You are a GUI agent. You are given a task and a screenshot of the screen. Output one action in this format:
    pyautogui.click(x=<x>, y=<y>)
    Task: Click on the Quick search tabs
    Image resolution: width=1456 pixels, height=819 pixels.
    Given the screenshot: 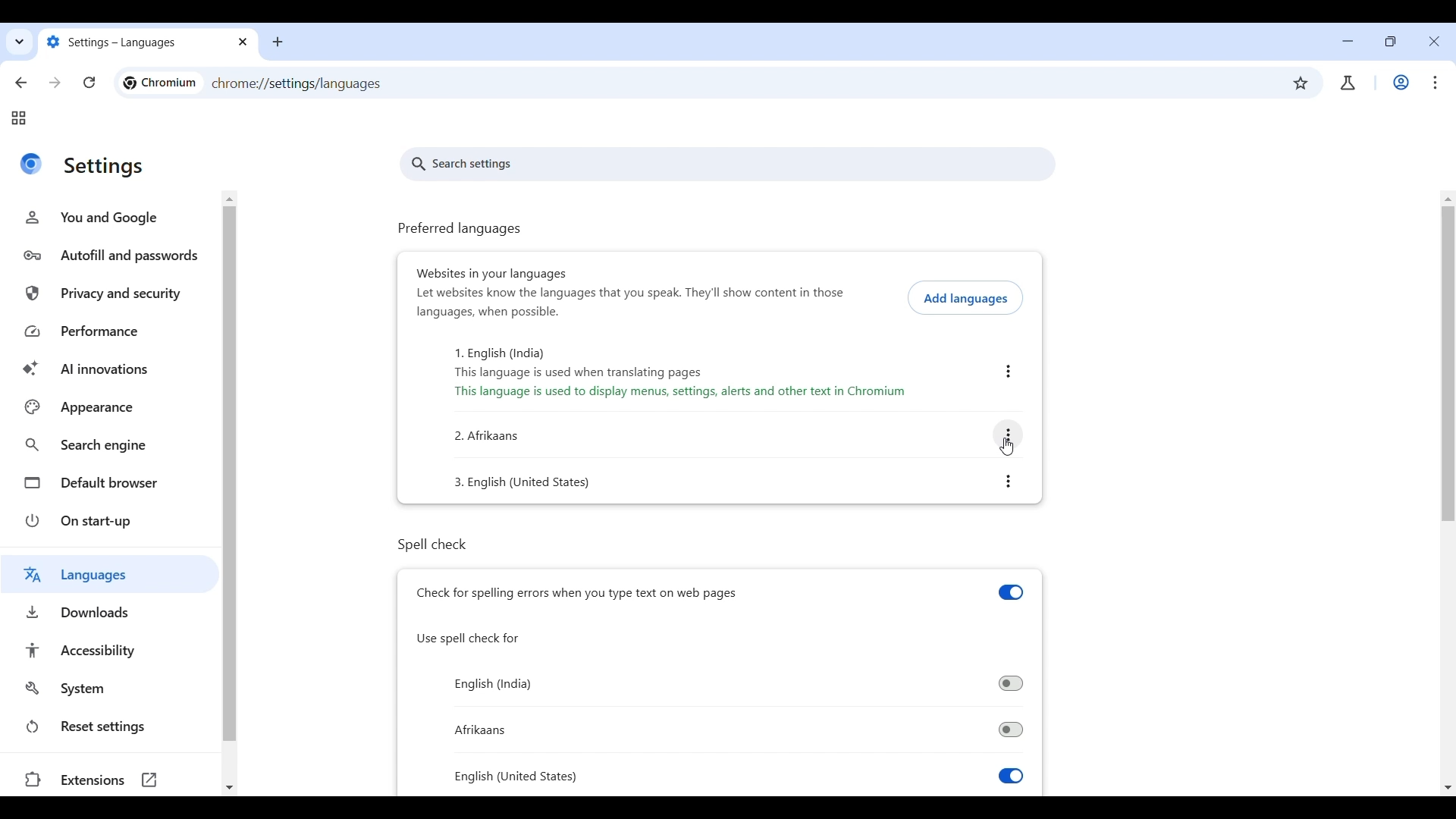 What is the action you would take?
    pyautogui.click(x=18, y=44)
    